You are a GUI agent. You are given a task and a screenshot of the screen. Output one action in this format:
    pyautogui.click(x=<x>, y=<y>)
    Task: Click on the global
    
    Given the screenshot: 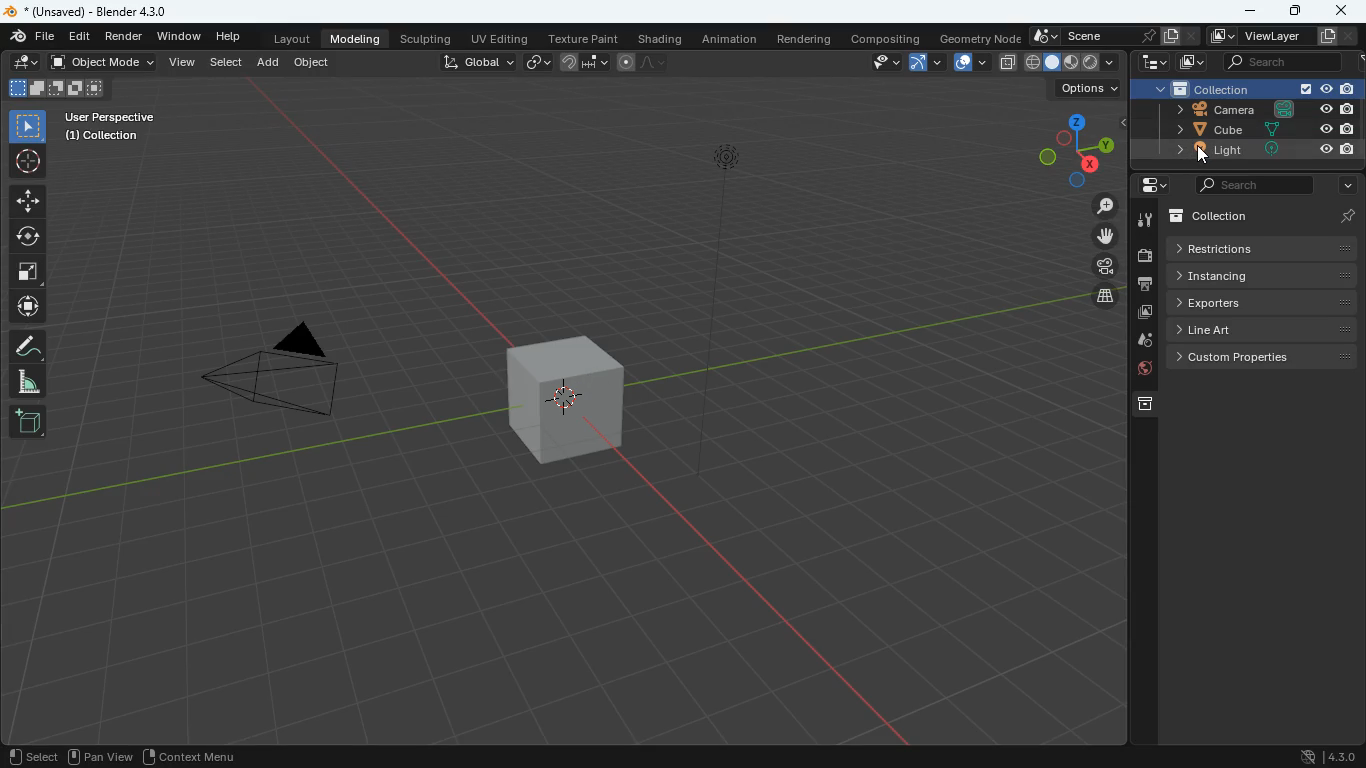 What is the action you would take?
    pyautogui.click(x=1030, y=63)
    